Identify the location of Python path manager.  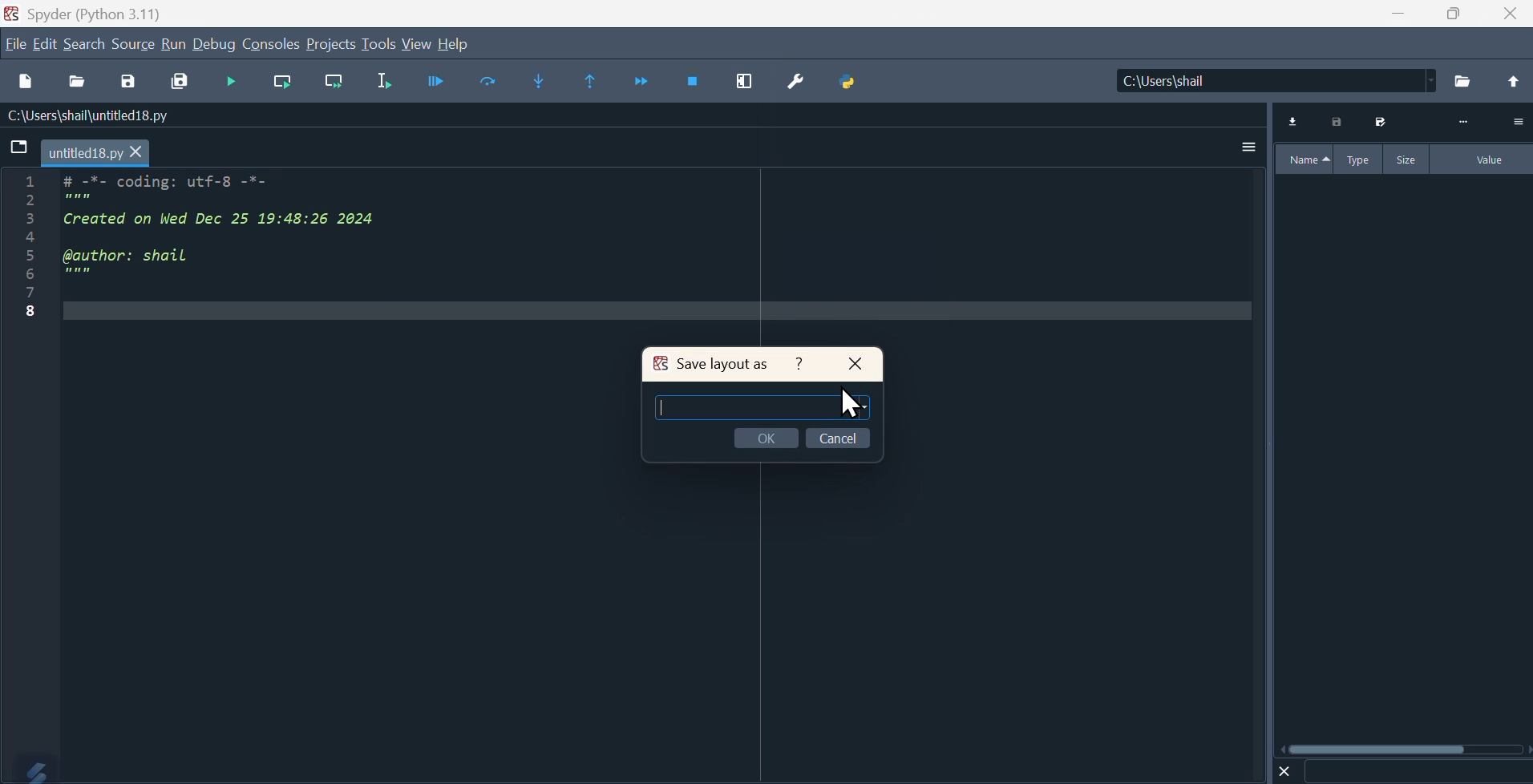
(847, 83).